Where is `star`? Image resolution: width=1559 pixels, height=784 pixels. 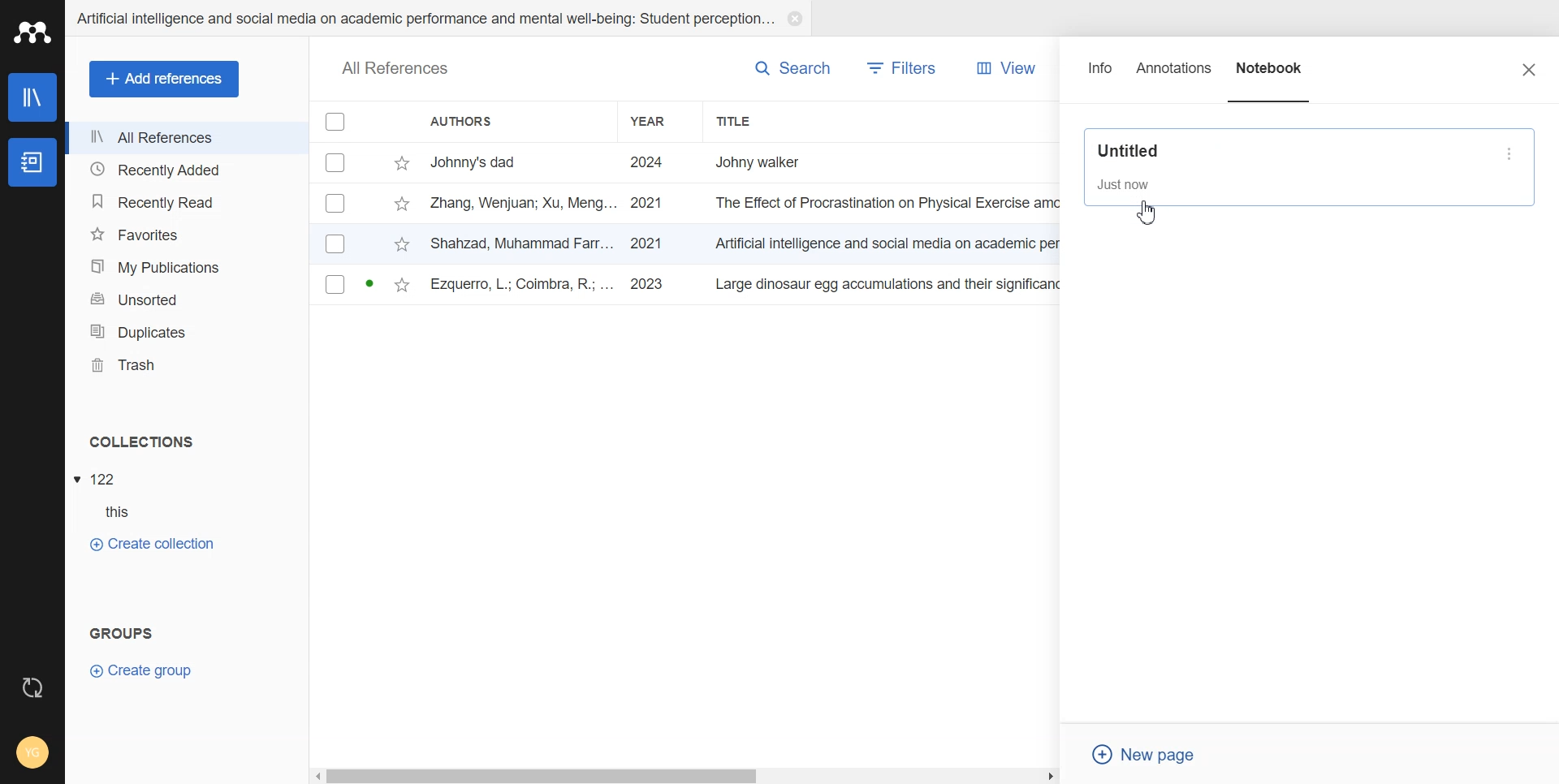
star is located at coordinates (402, 164).